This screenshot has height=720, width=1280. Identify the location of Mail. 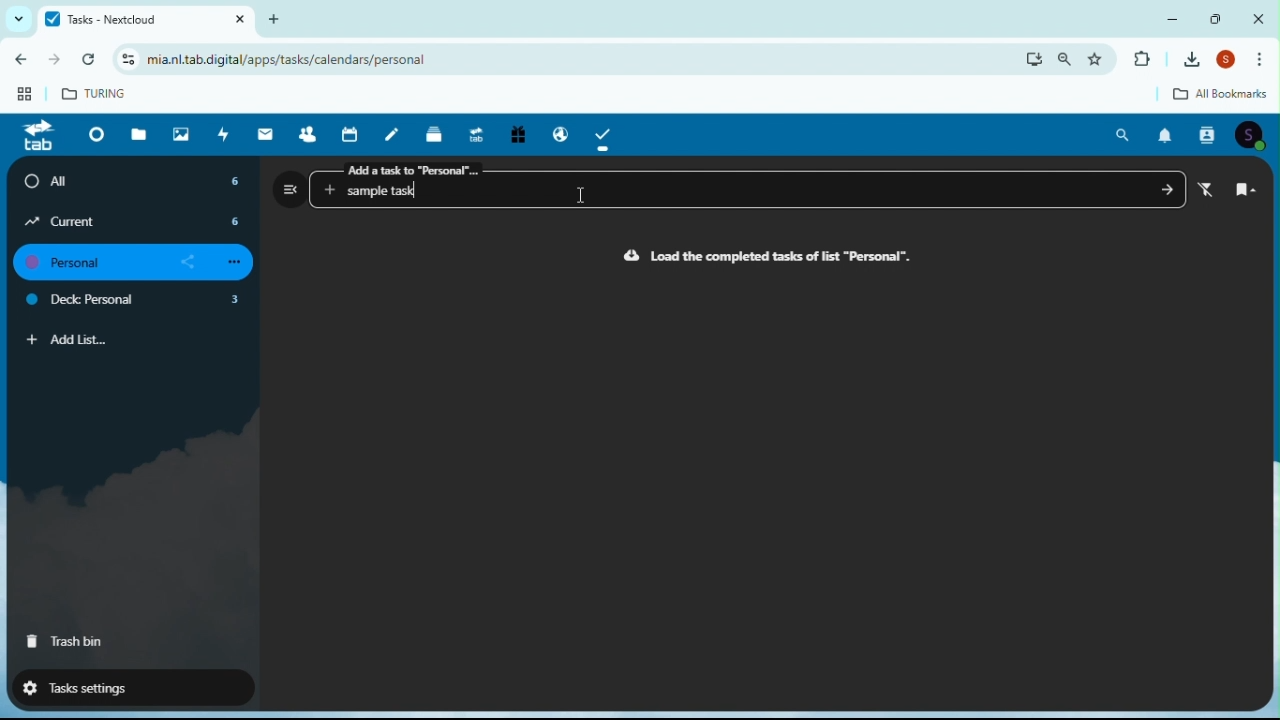
(268, 134).